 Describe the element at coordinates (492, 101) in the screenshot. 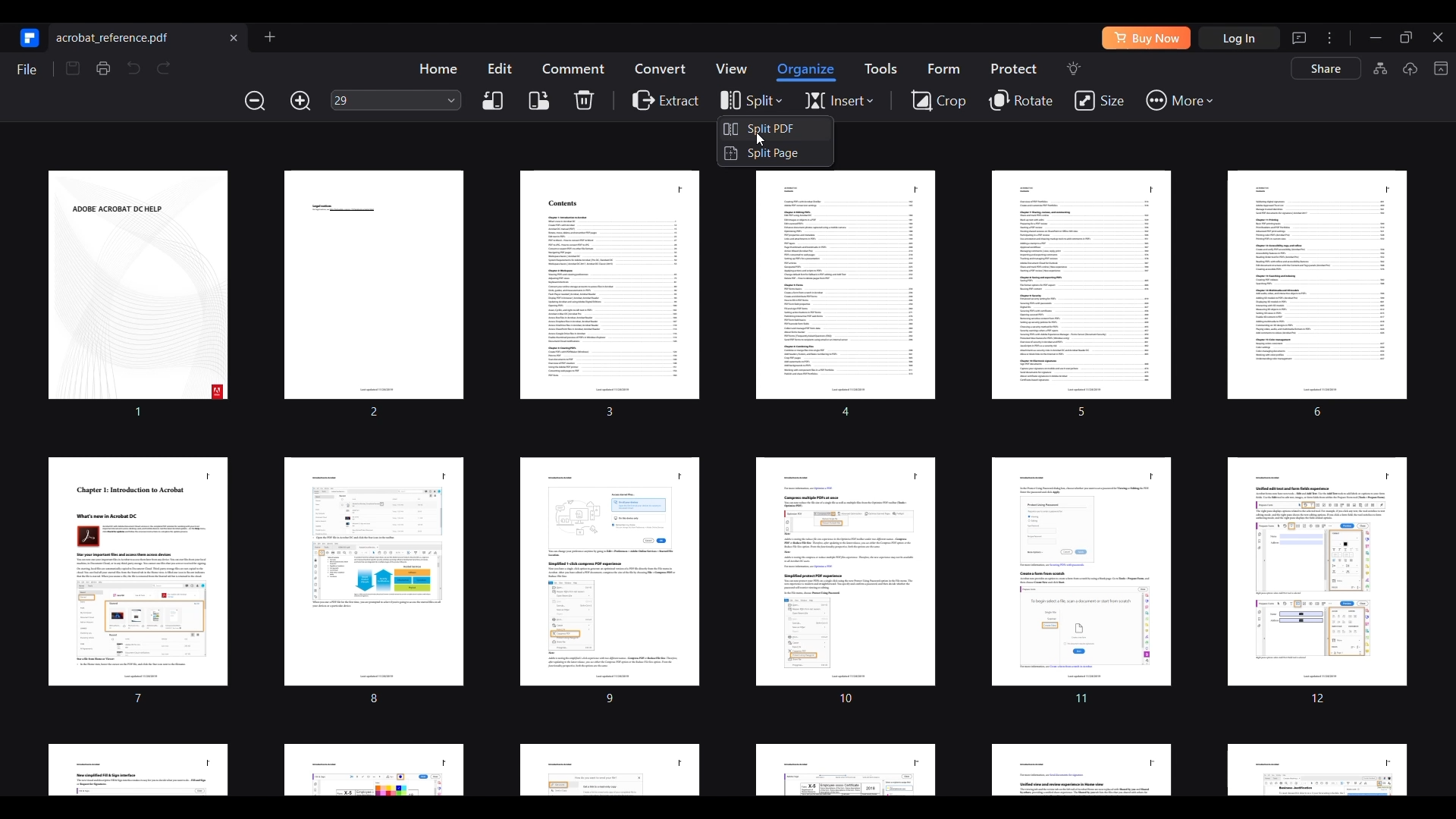

I see `Left rotate` at that location.